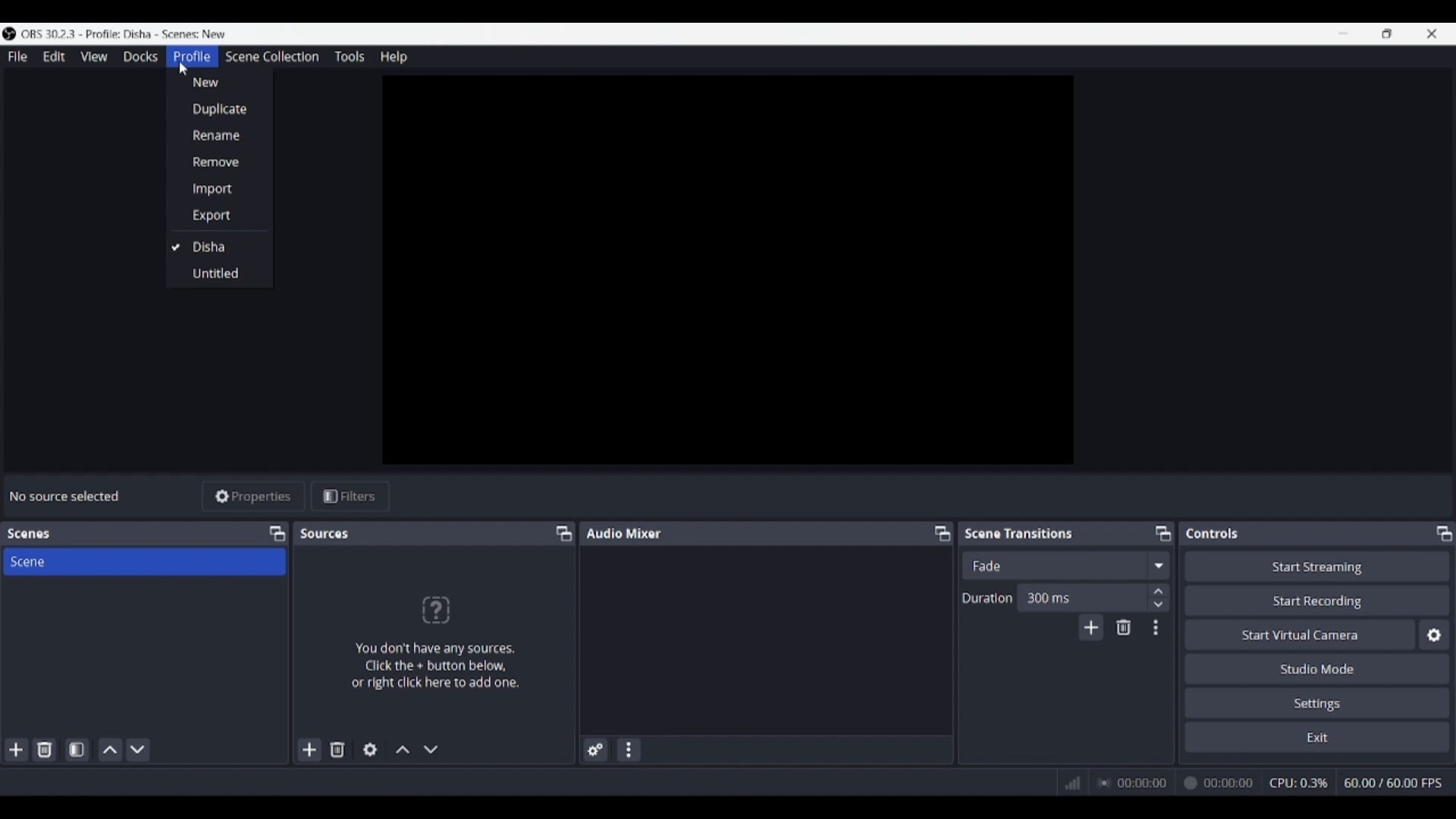 The height and width of the screenshot is (819, 1456). What do you see at coordinates (1178, 783) in the screenshot?
I see `00:00:00` at bounding box center [1178, 783].